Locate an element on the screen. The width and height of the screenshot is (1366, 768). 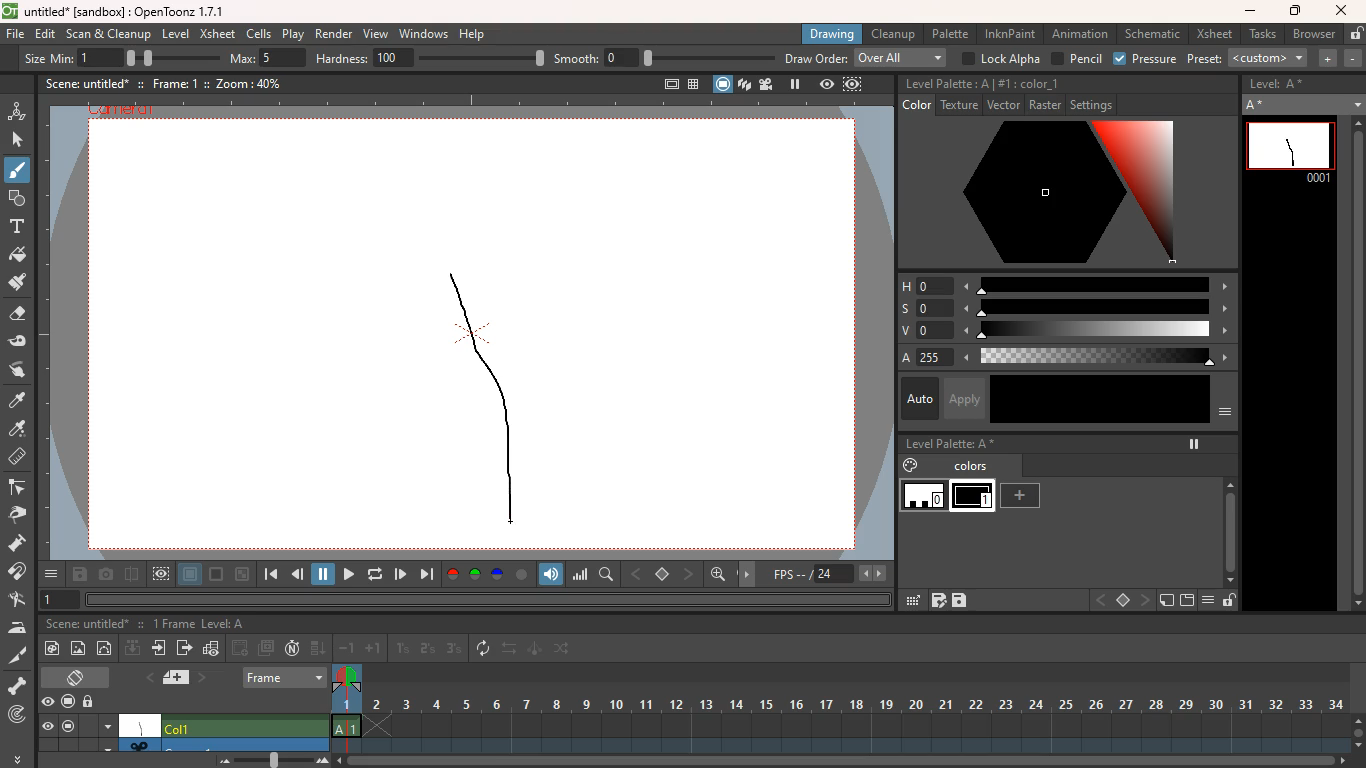
frames is located at coordinates (855, 707).